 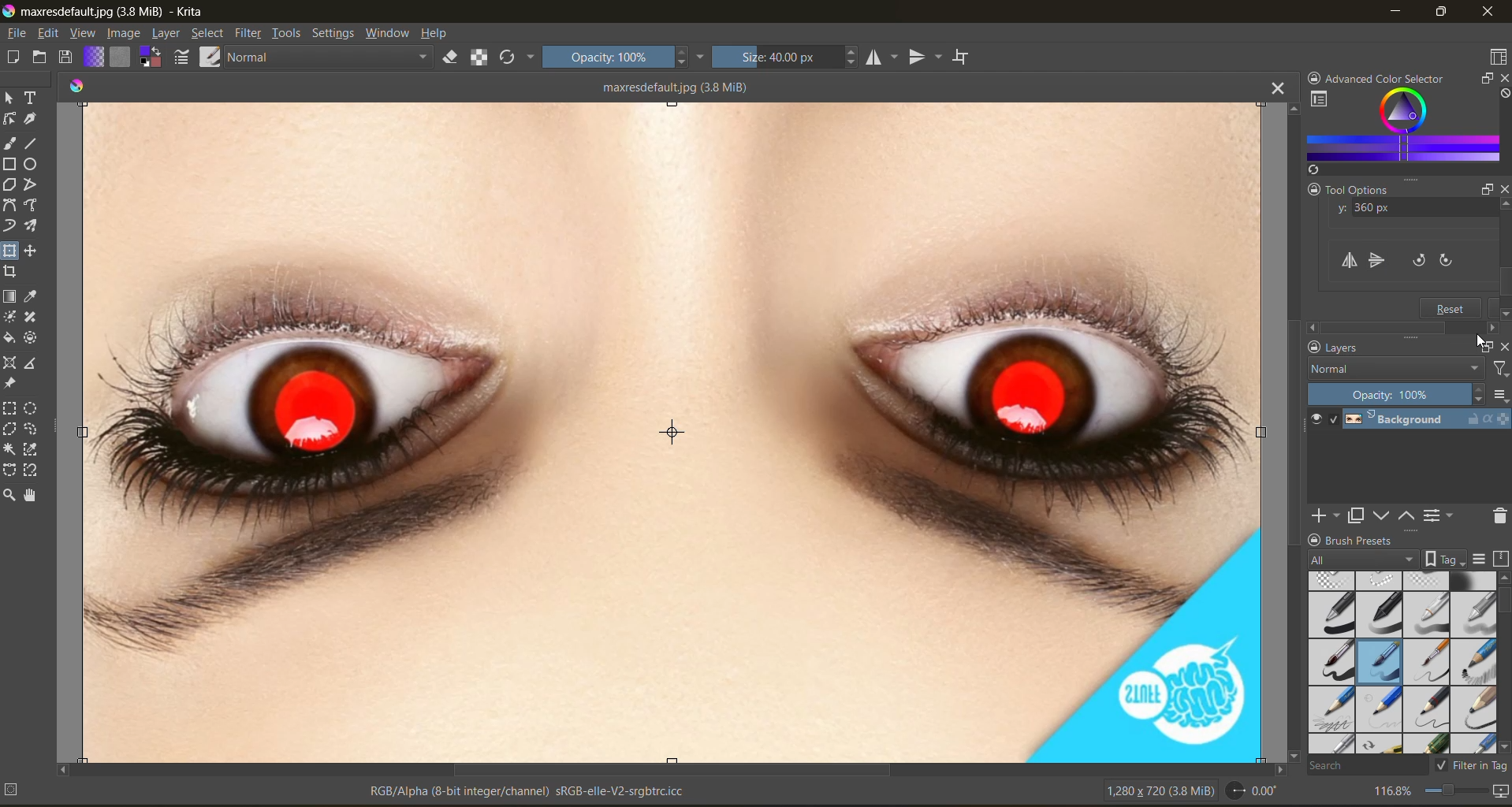 What do you see at coordinates (289, 33) in the screenshot?
I see `tools` at bounding box center [289, 33].